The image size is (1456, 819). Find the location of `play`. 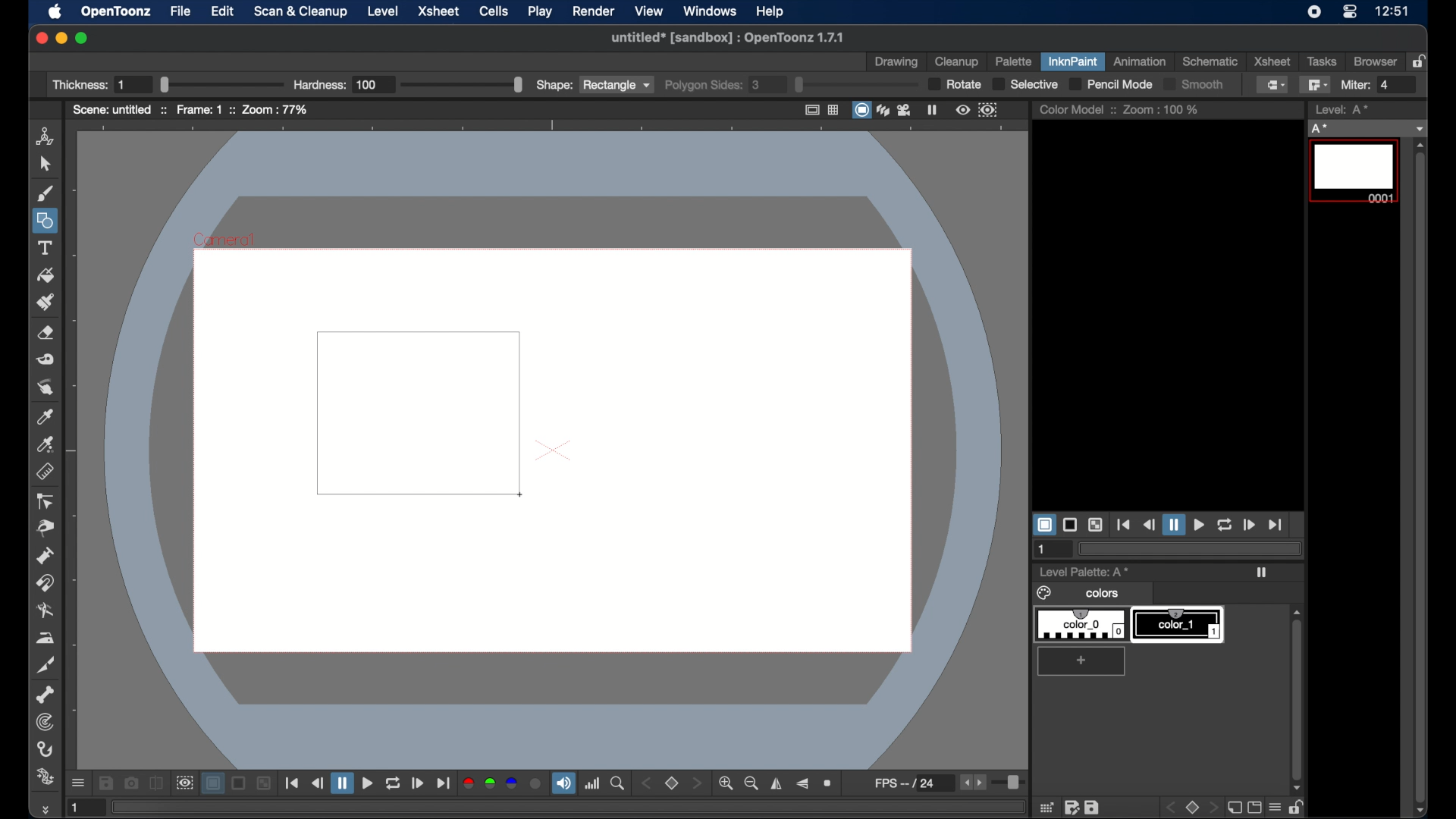

play is located at coordinates (1198, 526).